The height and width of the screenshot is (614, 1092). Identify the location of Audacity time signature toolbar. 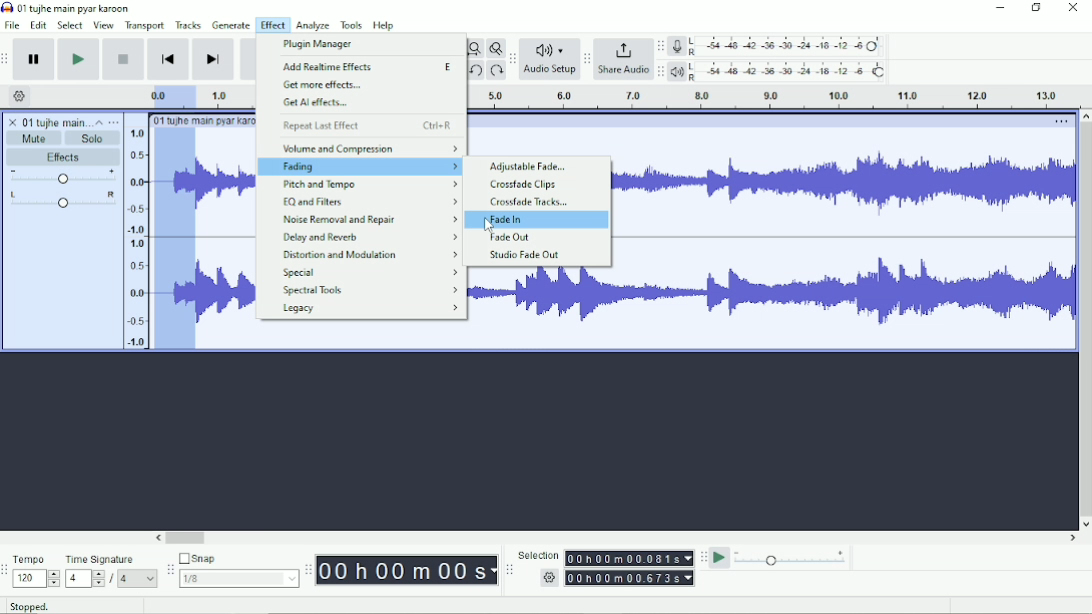
(7, 571).